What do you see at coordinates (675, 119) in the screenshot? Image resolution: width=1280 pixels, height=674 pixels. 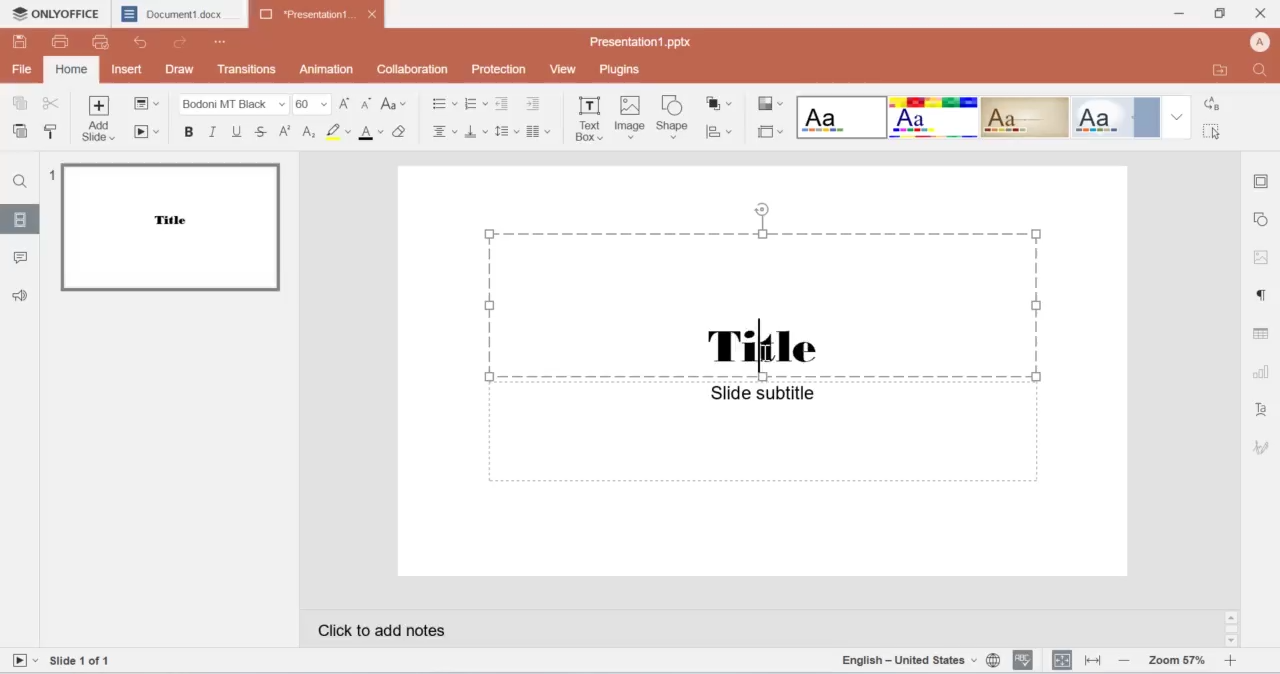 I see `shape` at bounding box center [675, 119].